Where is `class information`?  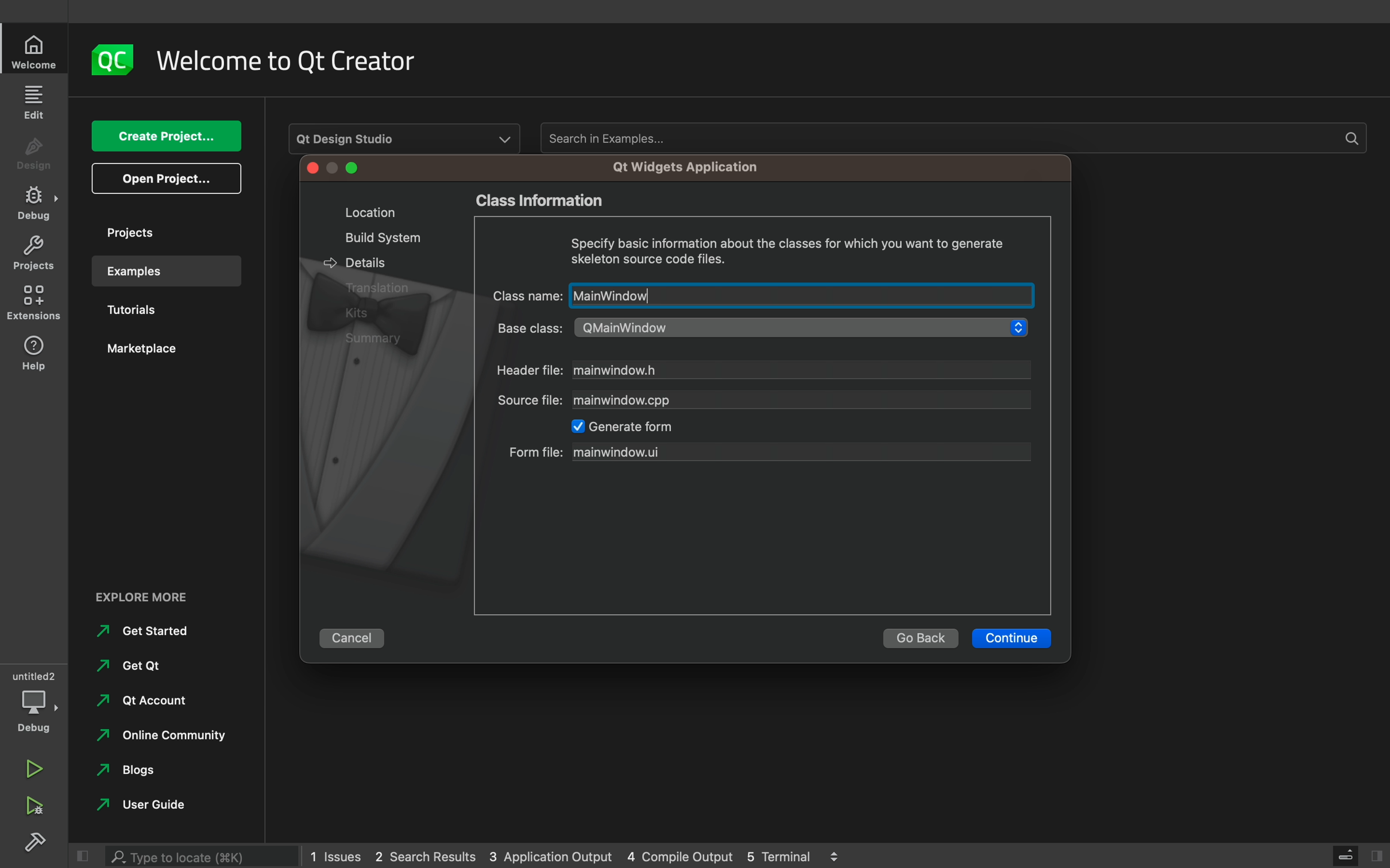 class information is located at coordinates (557, 203).